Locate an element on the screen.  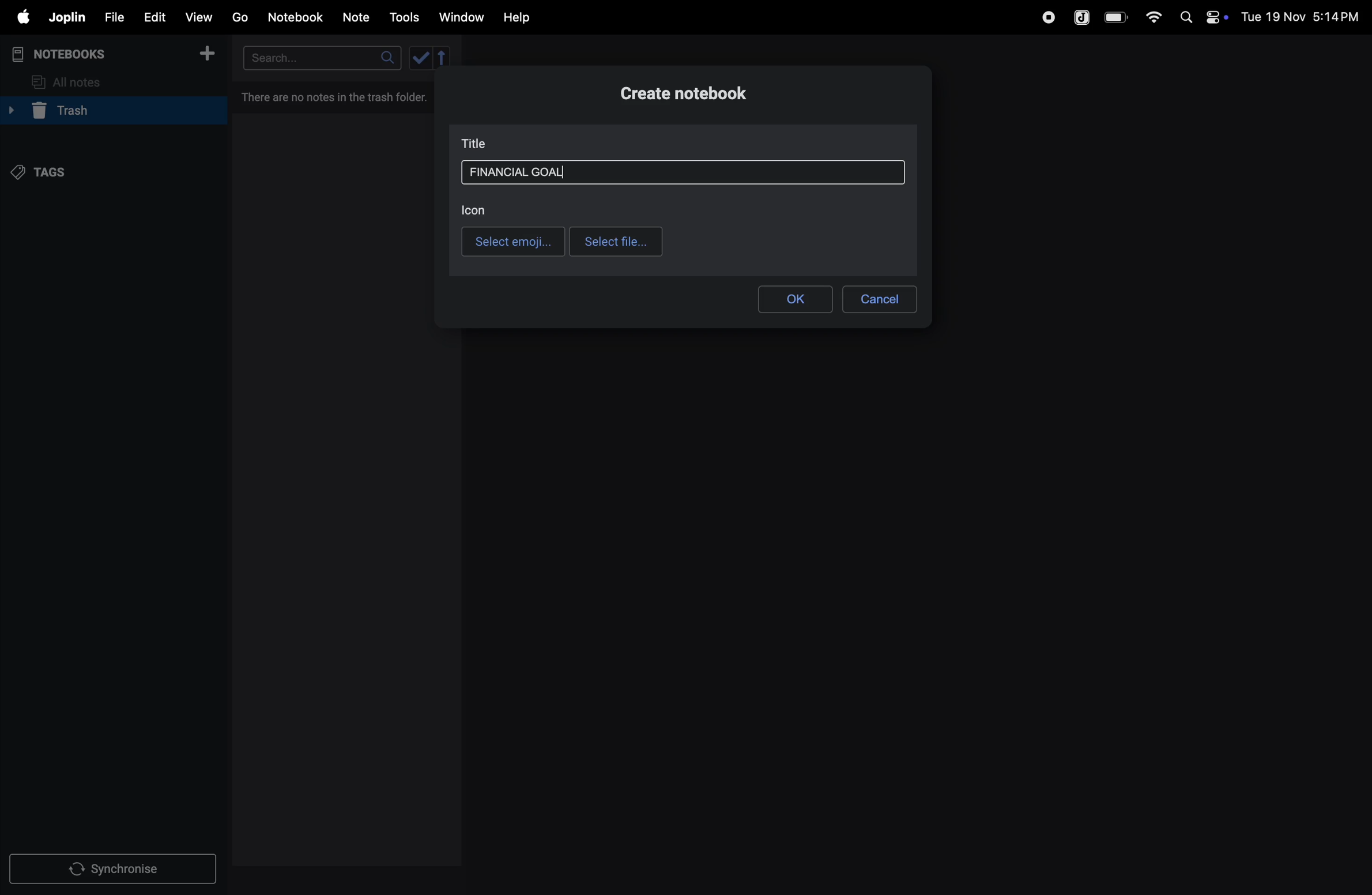
cancel is located at coordinates (880, 300).